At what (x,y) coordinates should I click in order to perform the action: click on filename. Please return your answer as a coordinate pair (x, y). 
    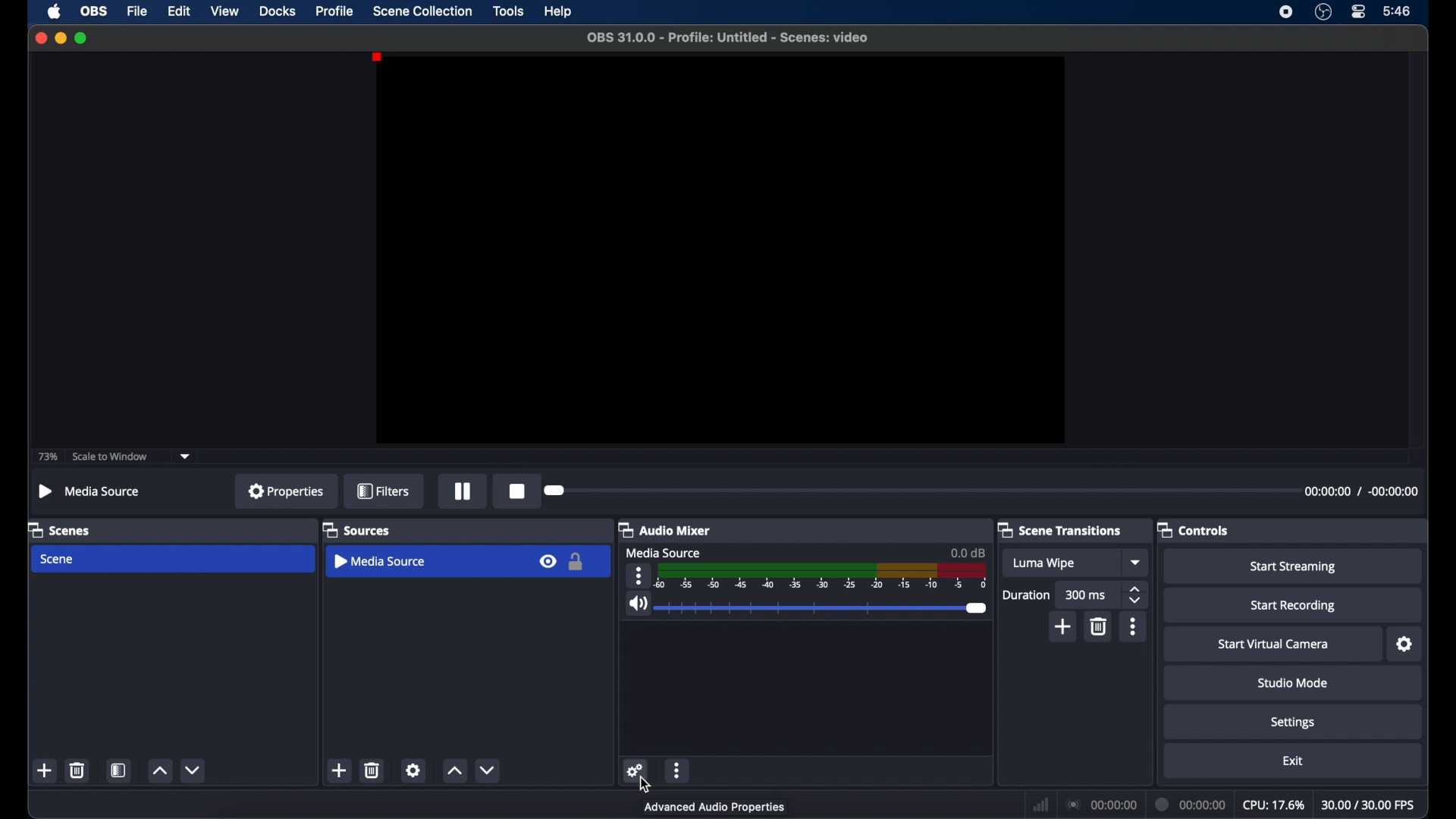
    Looking at the image, I should click on (726, 36).